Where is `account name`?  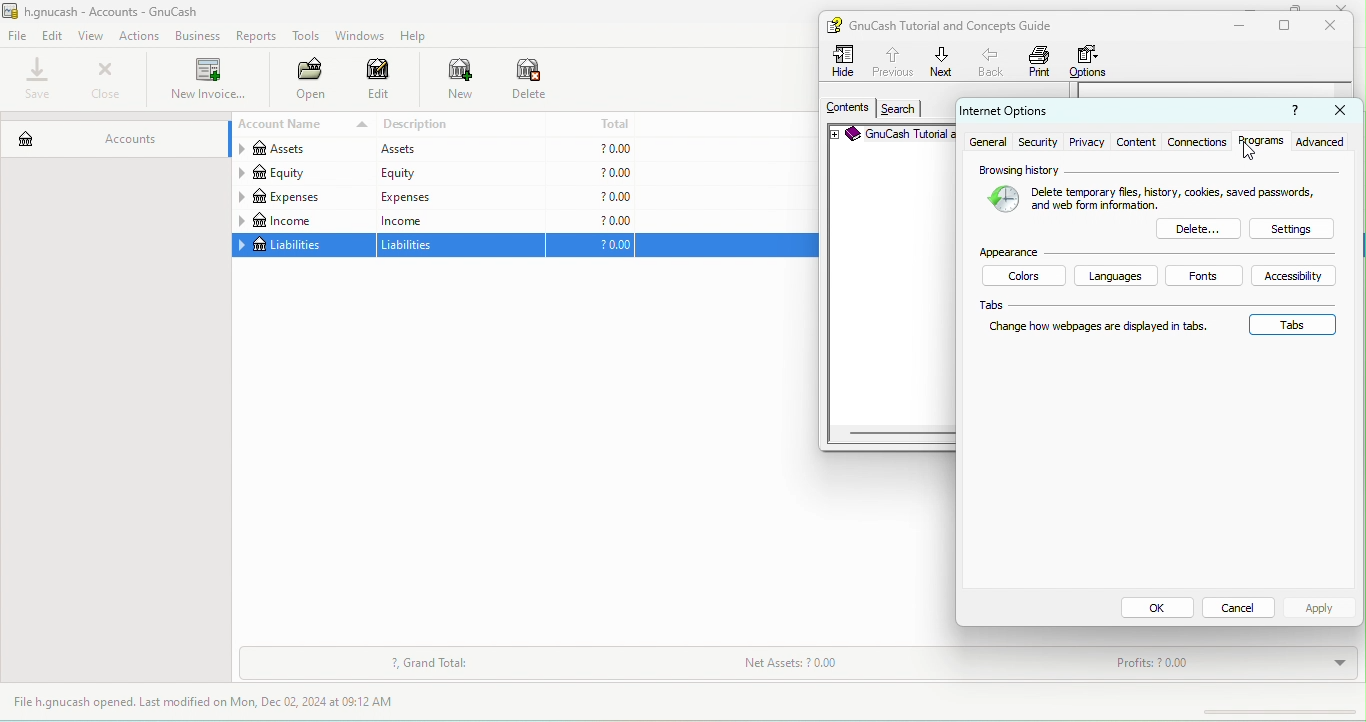 account name is located at coordinates (300, 125).